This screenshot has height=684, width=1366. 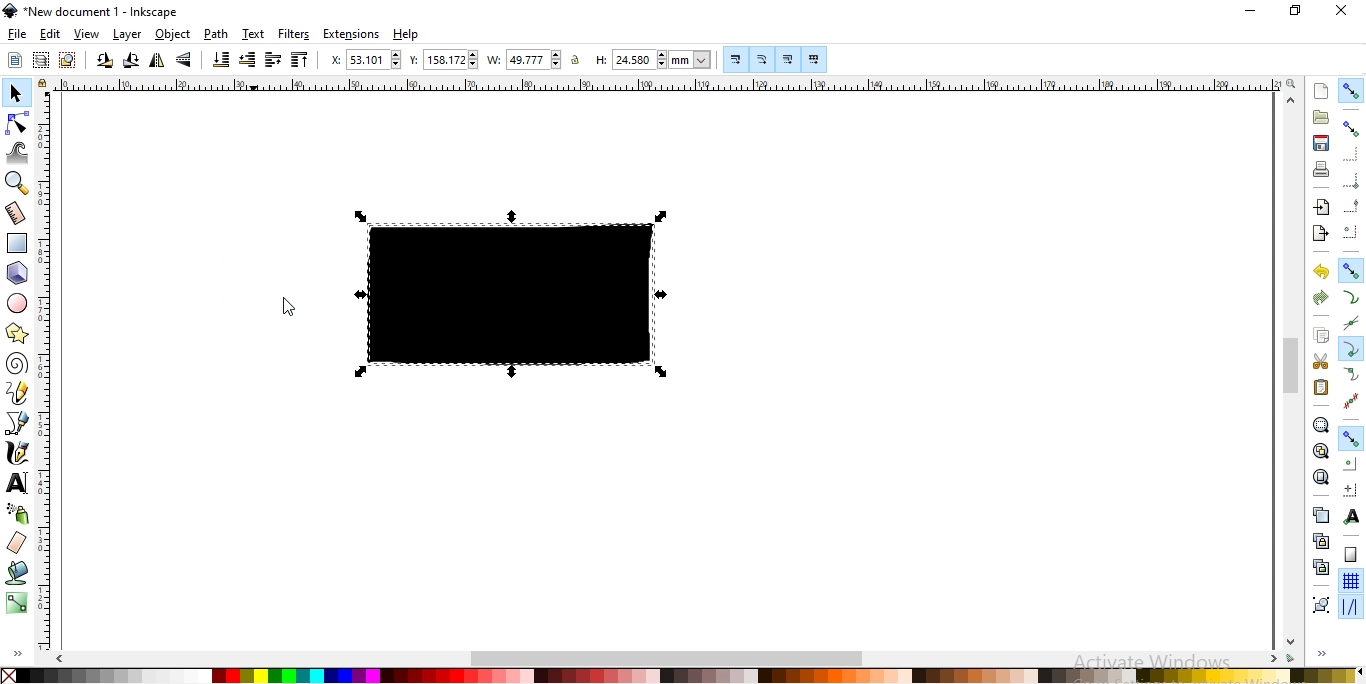 I want to click on select in all visible objects  and layers, so click(x=41, y=62).